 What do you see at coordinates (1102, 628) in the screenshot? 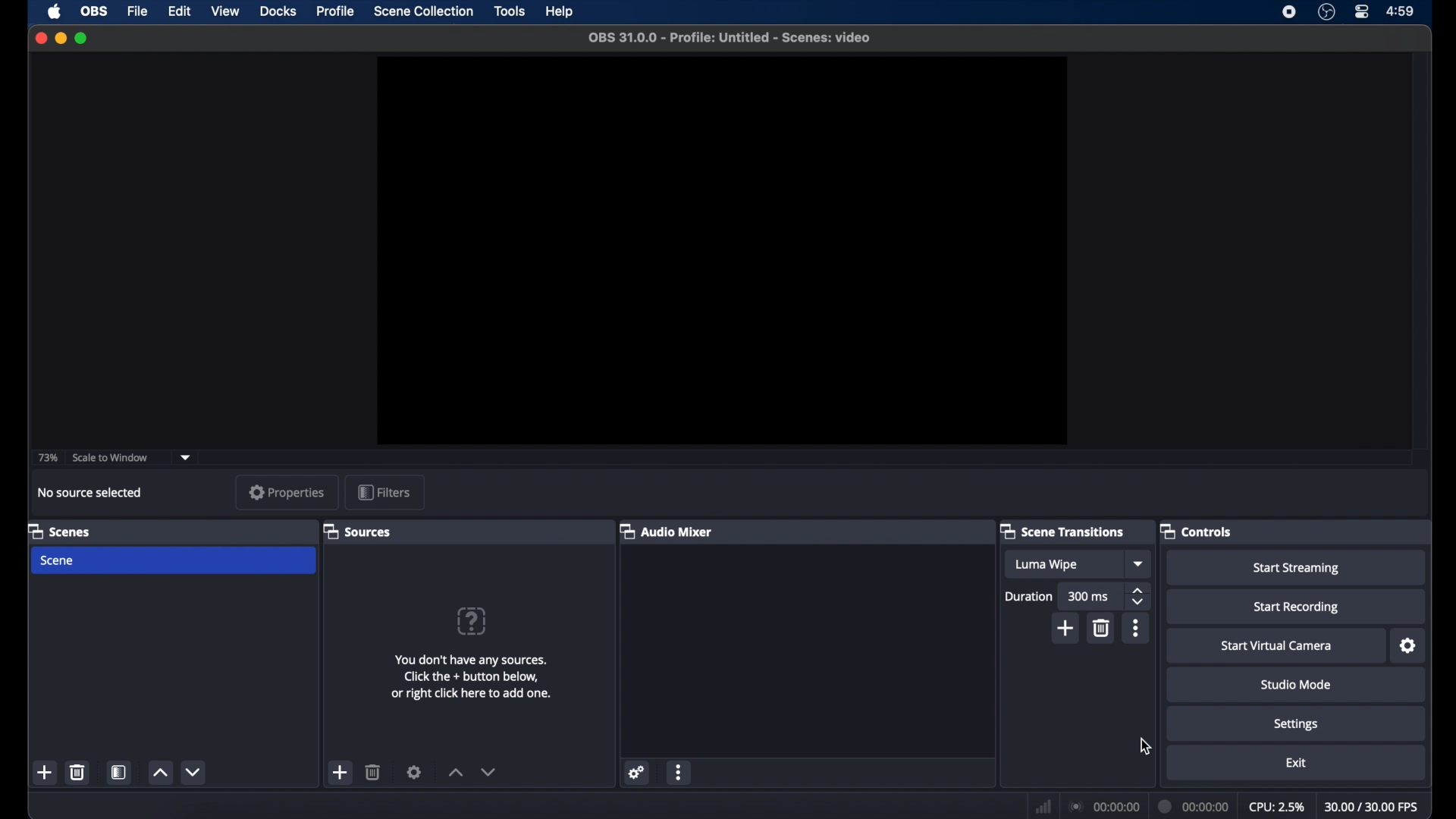
I see `delete` at bounding box center [1102, 628].